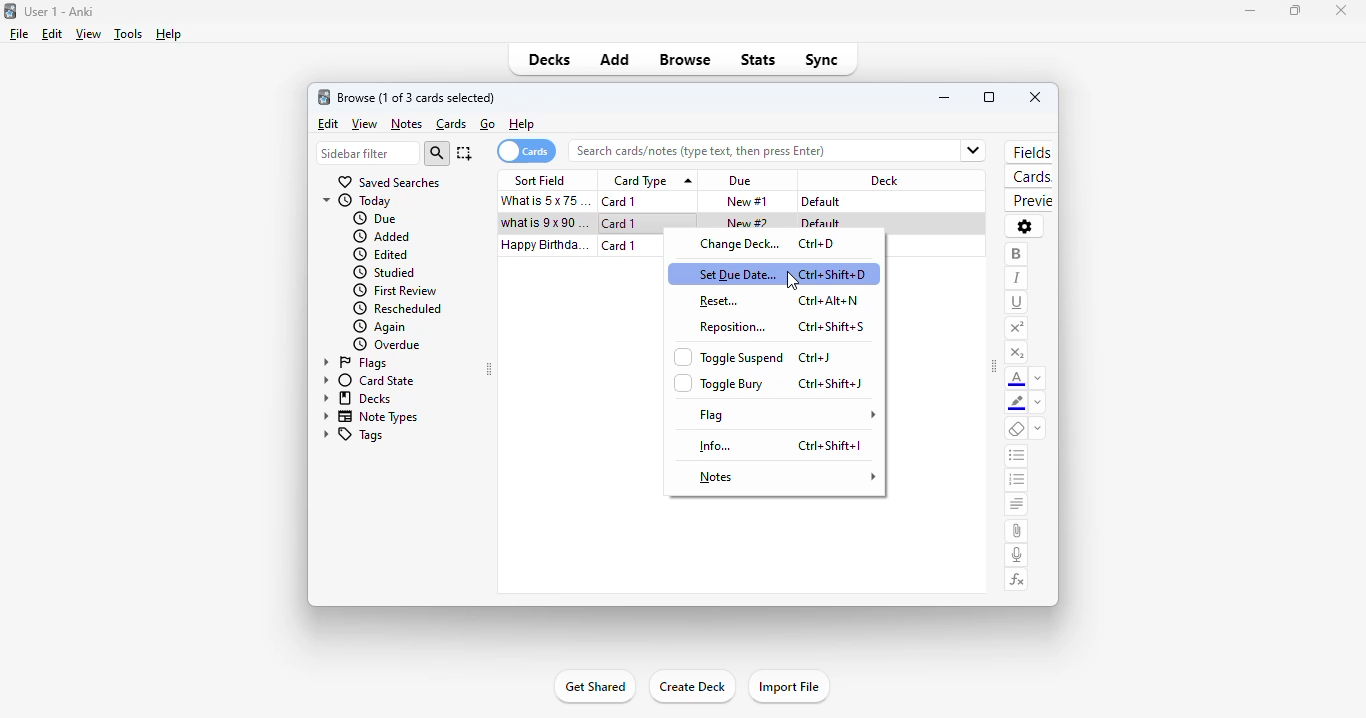  Describe the element at coordinates (1017, 328) in the screenshot. I see `superscript` at that location.